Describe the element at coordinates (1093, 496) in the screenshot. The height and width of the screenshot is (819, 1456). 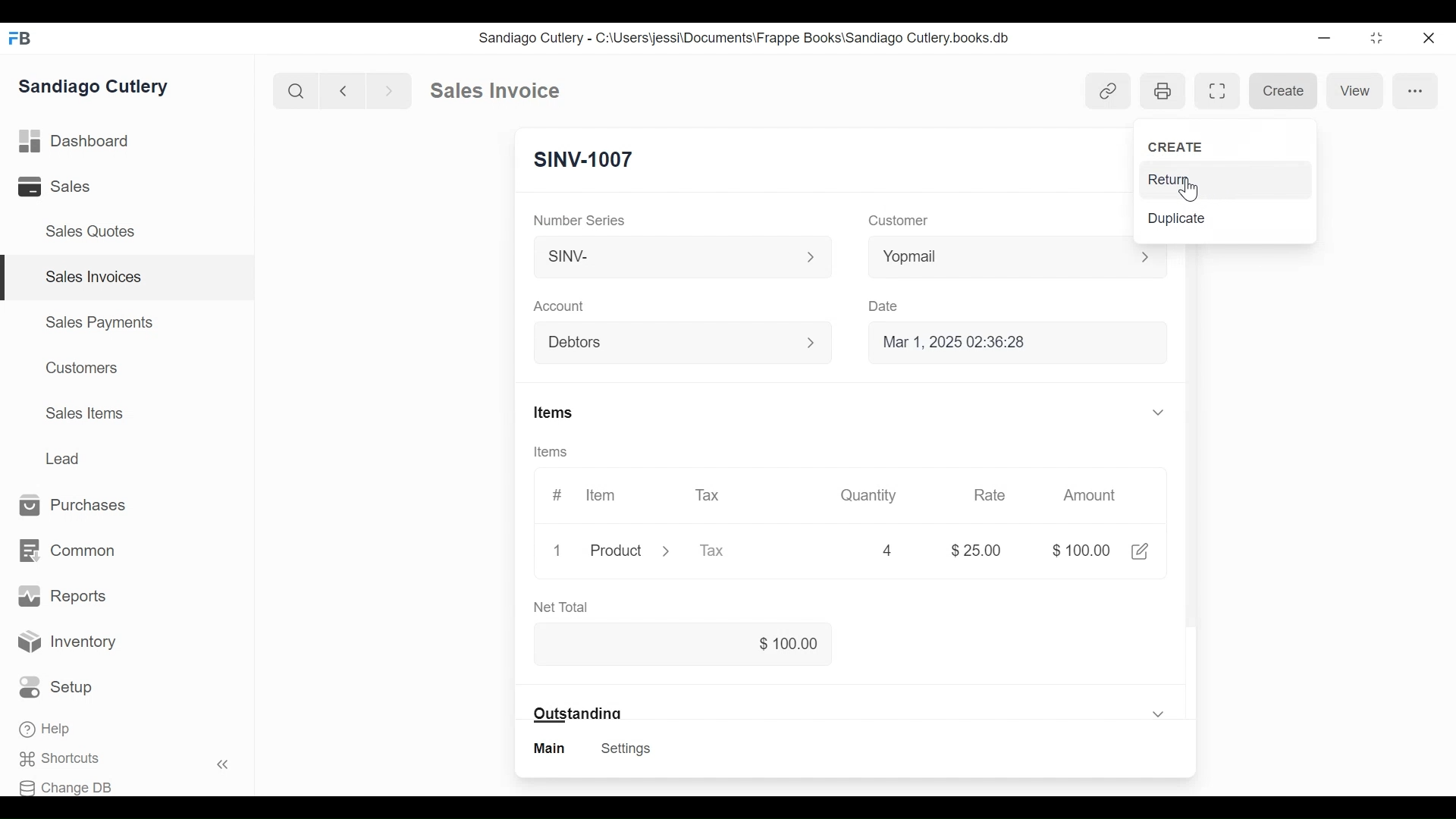
I see `Amount` at that location.